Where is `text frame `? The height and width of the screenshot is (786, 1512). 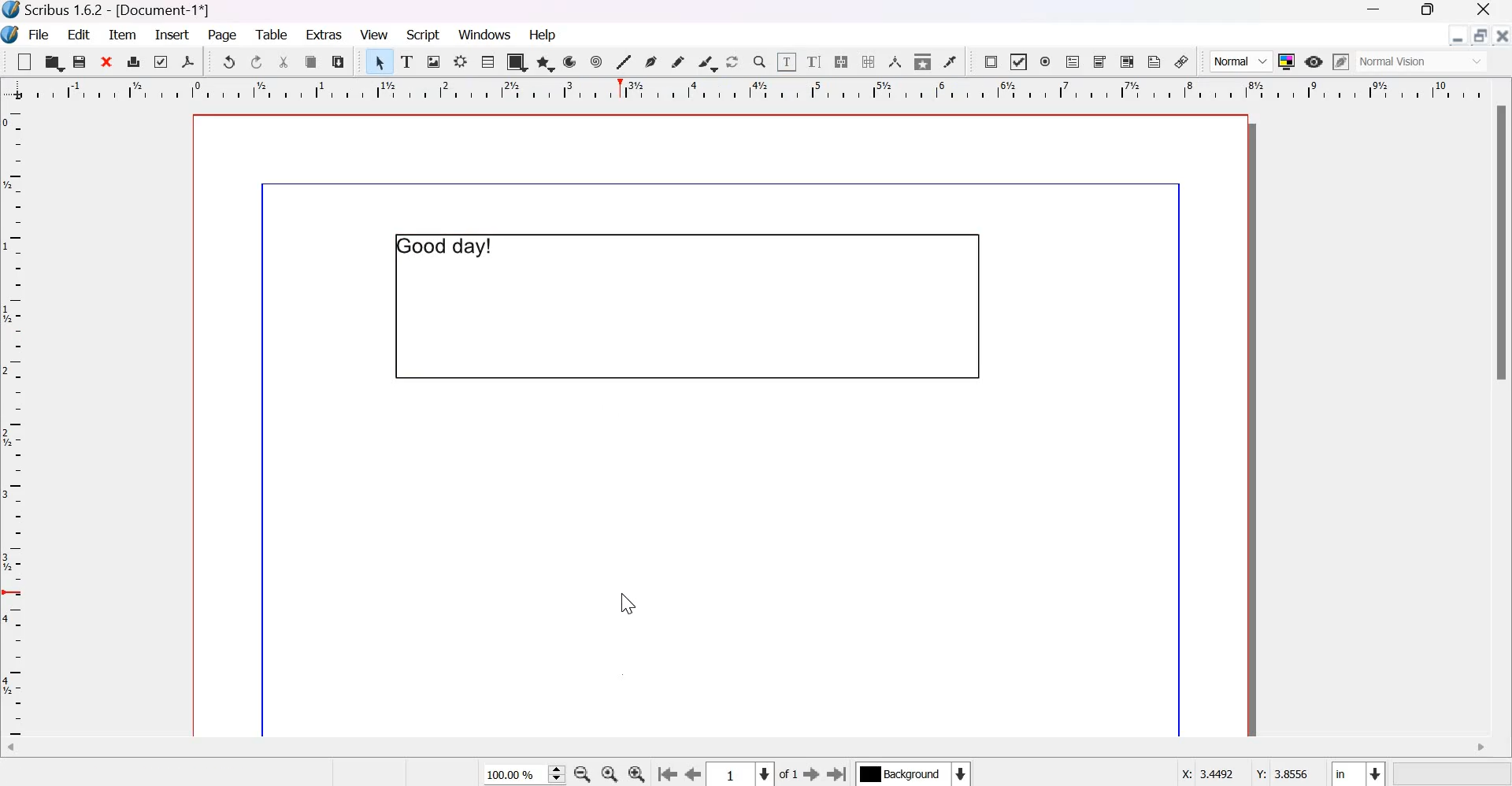 text frame  is located at coordinates (684, 306).